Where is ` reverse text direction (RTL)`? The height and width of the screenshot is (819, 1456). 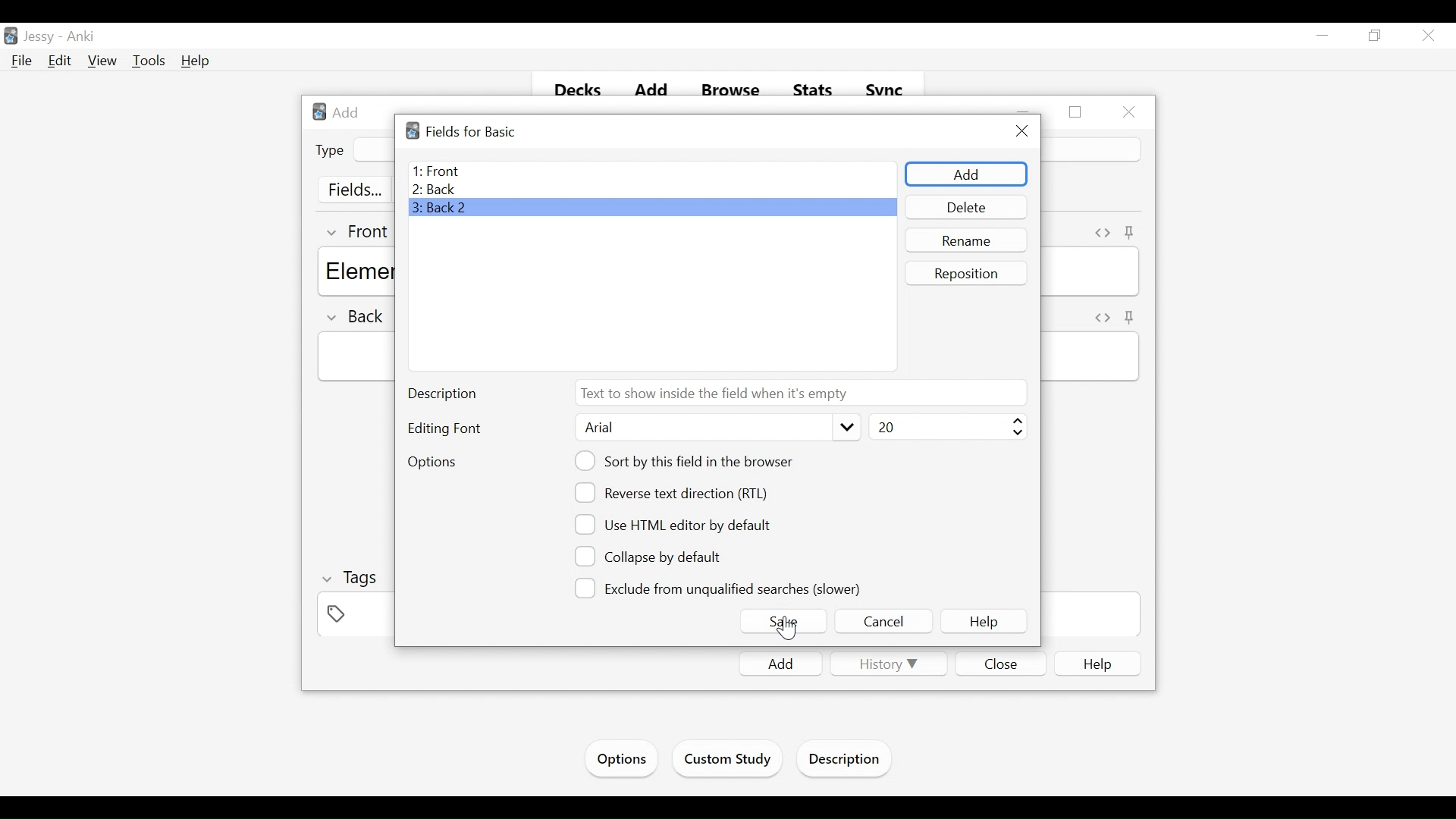  reverse text direction (RTL) is located at coordinates (674, 492).